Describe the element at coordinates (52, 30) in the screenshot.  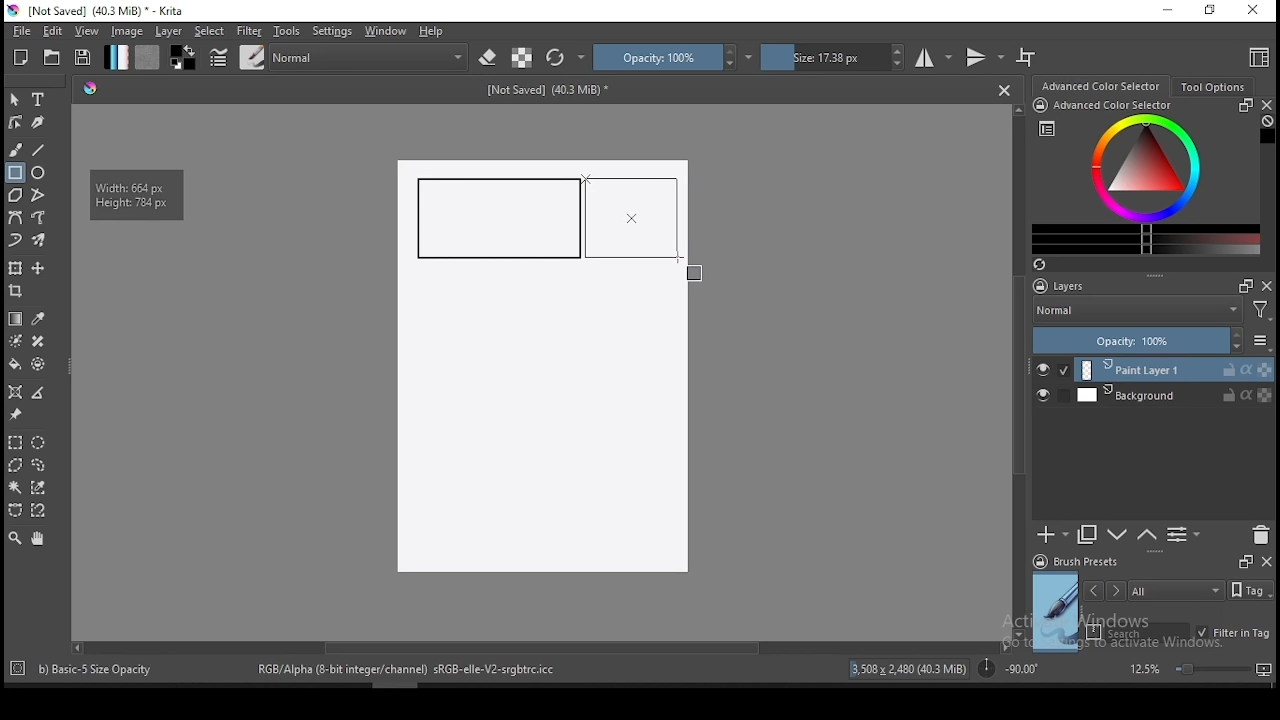
I see `edit` at that location.